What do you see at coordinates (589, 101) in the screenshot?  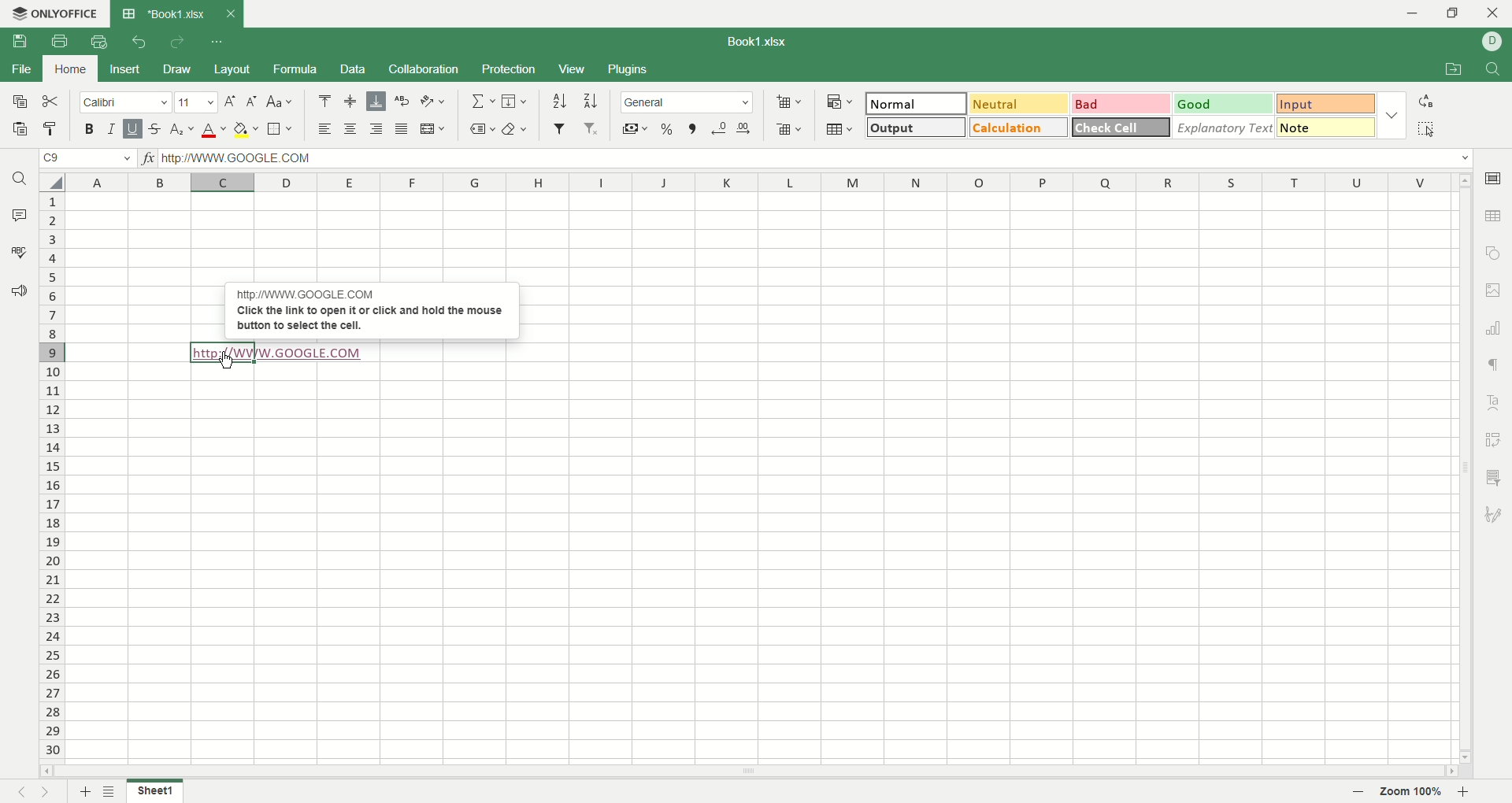 I see `sort descending` at bounding box center [589, 101].